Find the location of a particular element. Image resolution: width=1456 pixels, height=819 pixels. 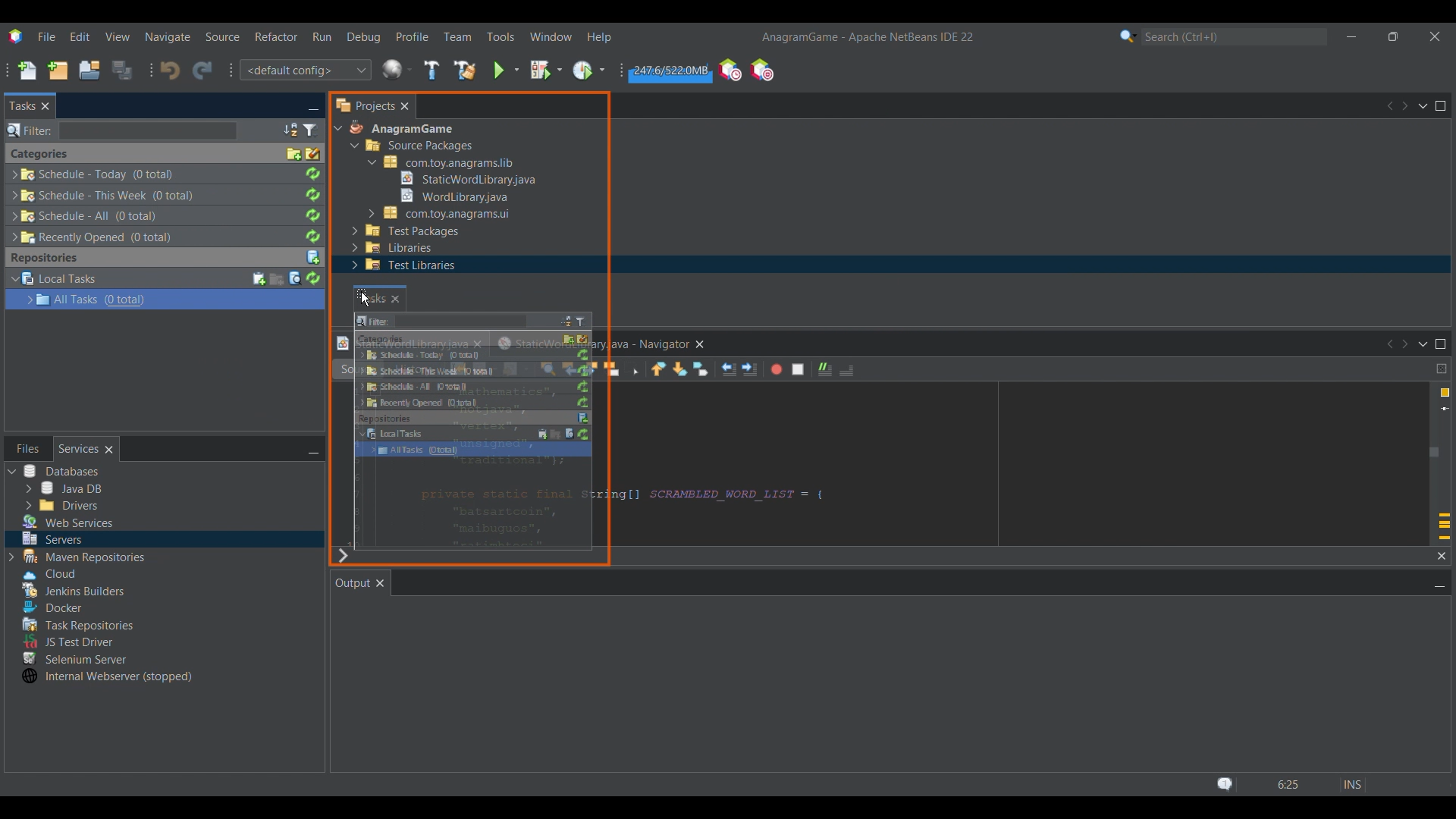

Save all is located at coordinates (123, 70).